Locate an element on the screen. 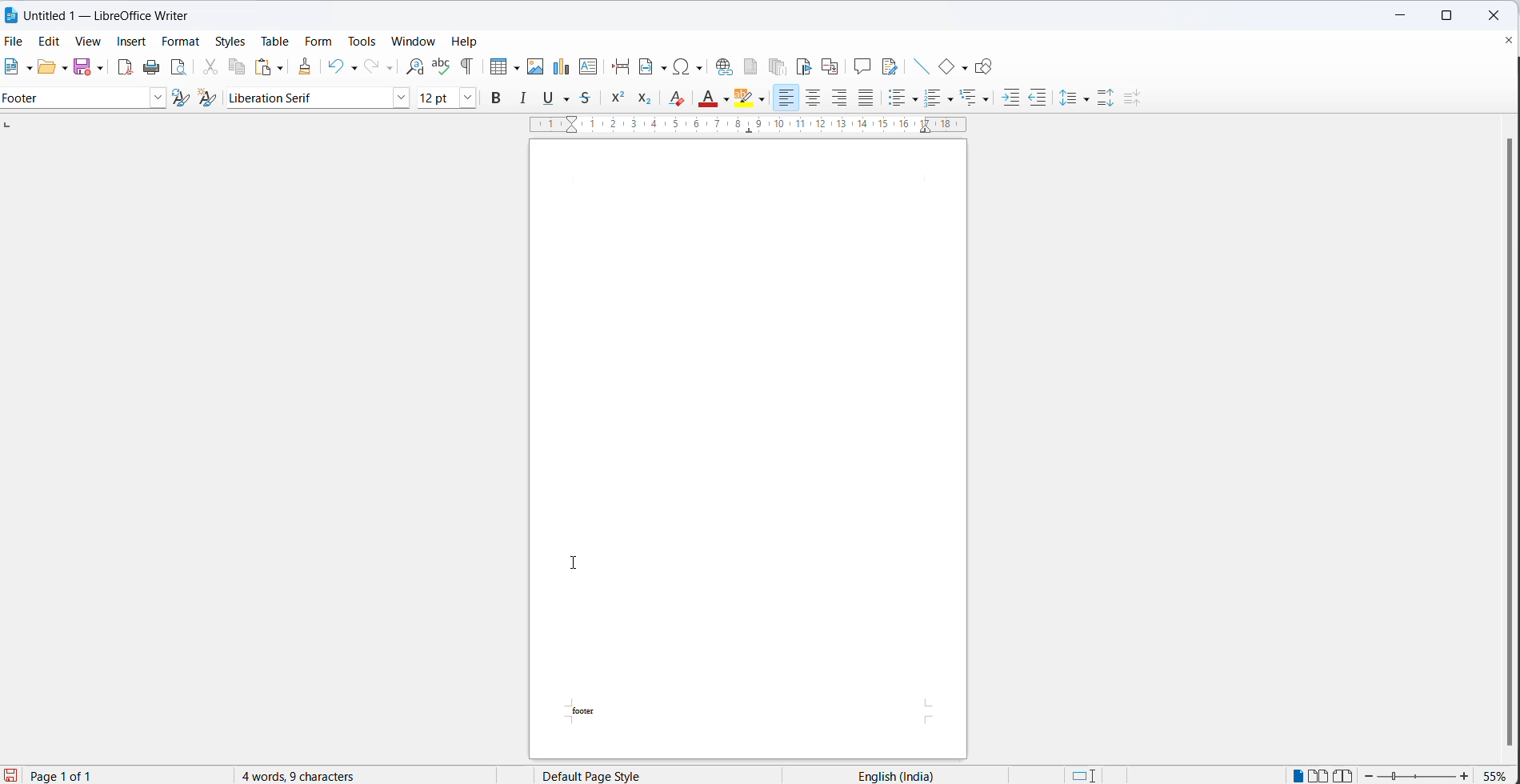 Image resolution: width=1520 pixels, height=784 pixels. basic shapes is located at coordinates (946, 67).